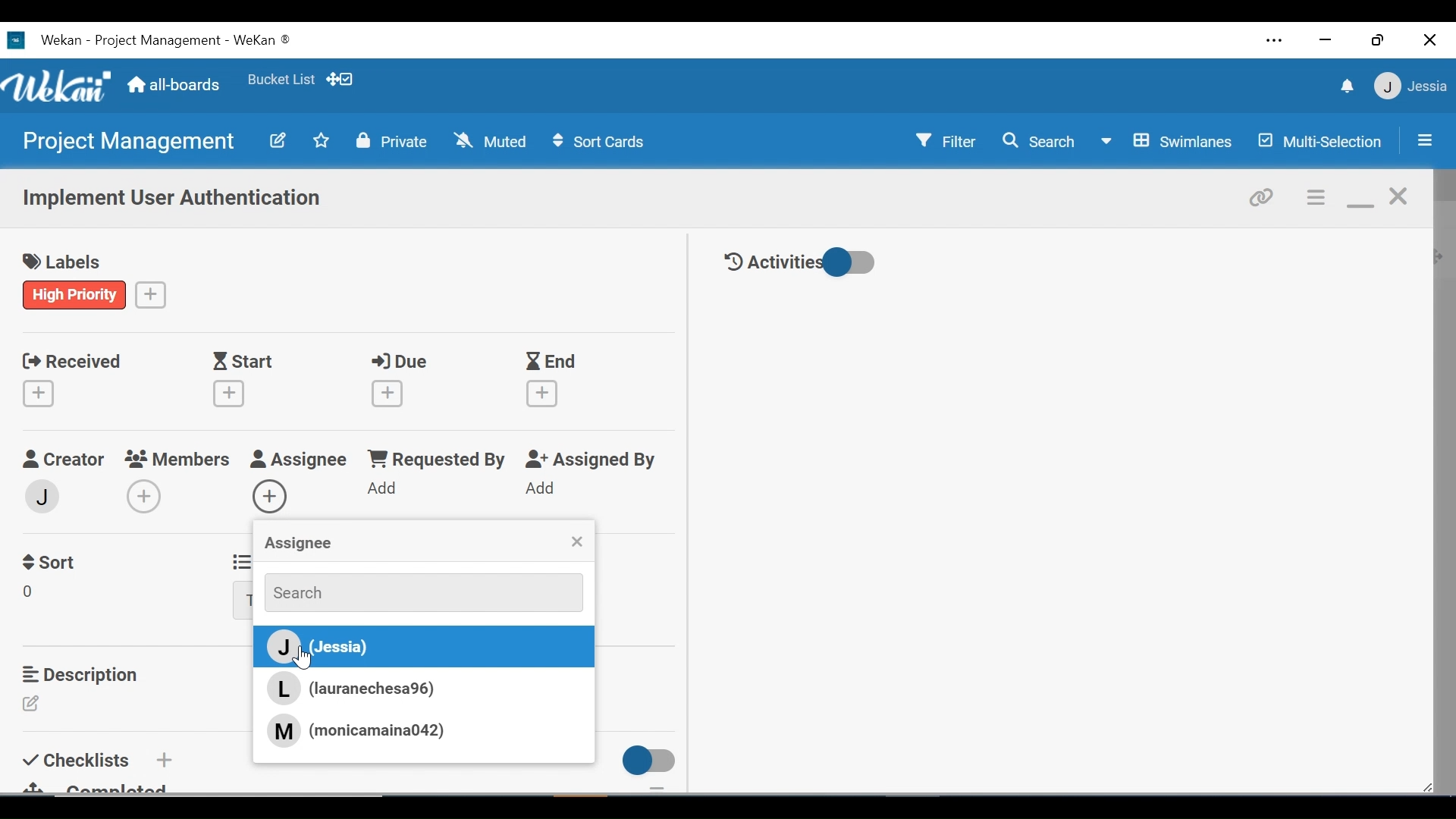 This screenshot has width=1456, height=819. What do you see at coordinates (644, 761) in the screenshot?
I see `Taggle on /off` at bounding box center [644, 761].